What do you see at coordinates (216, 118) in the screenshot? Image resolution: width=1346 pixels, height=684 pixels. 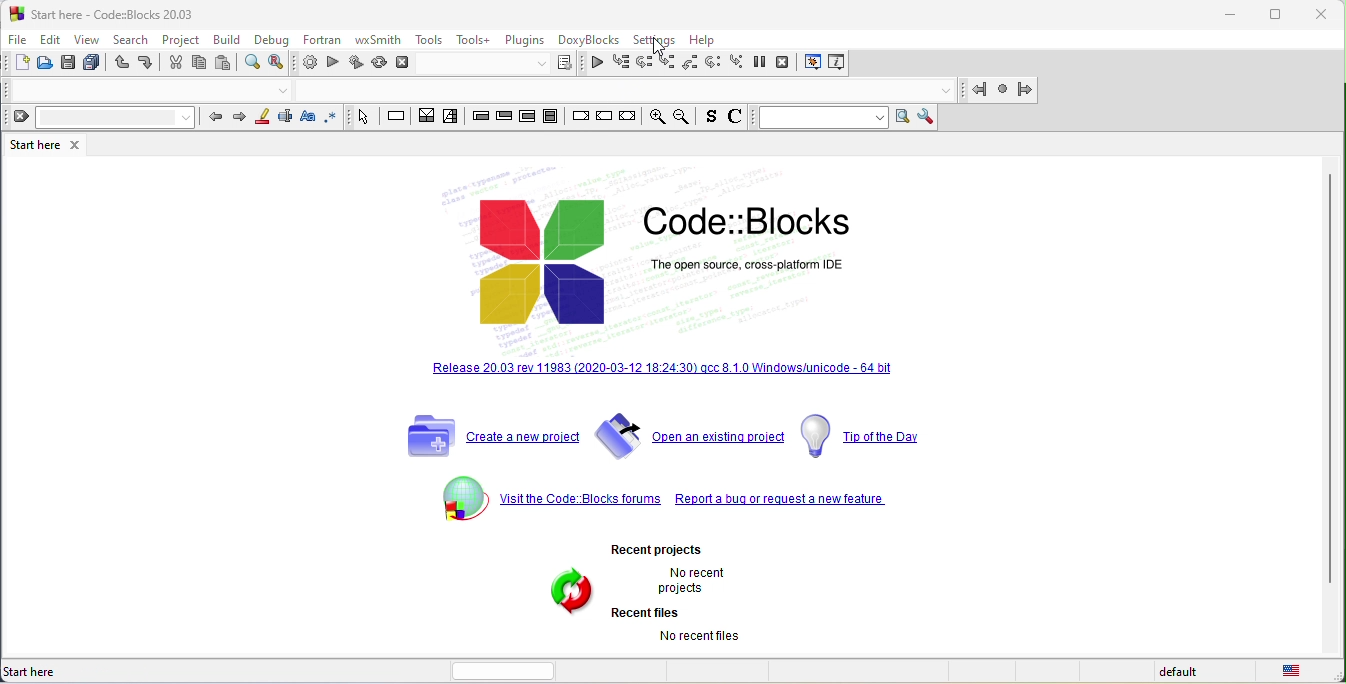 I see `prev` at bounding box center [216, 118].